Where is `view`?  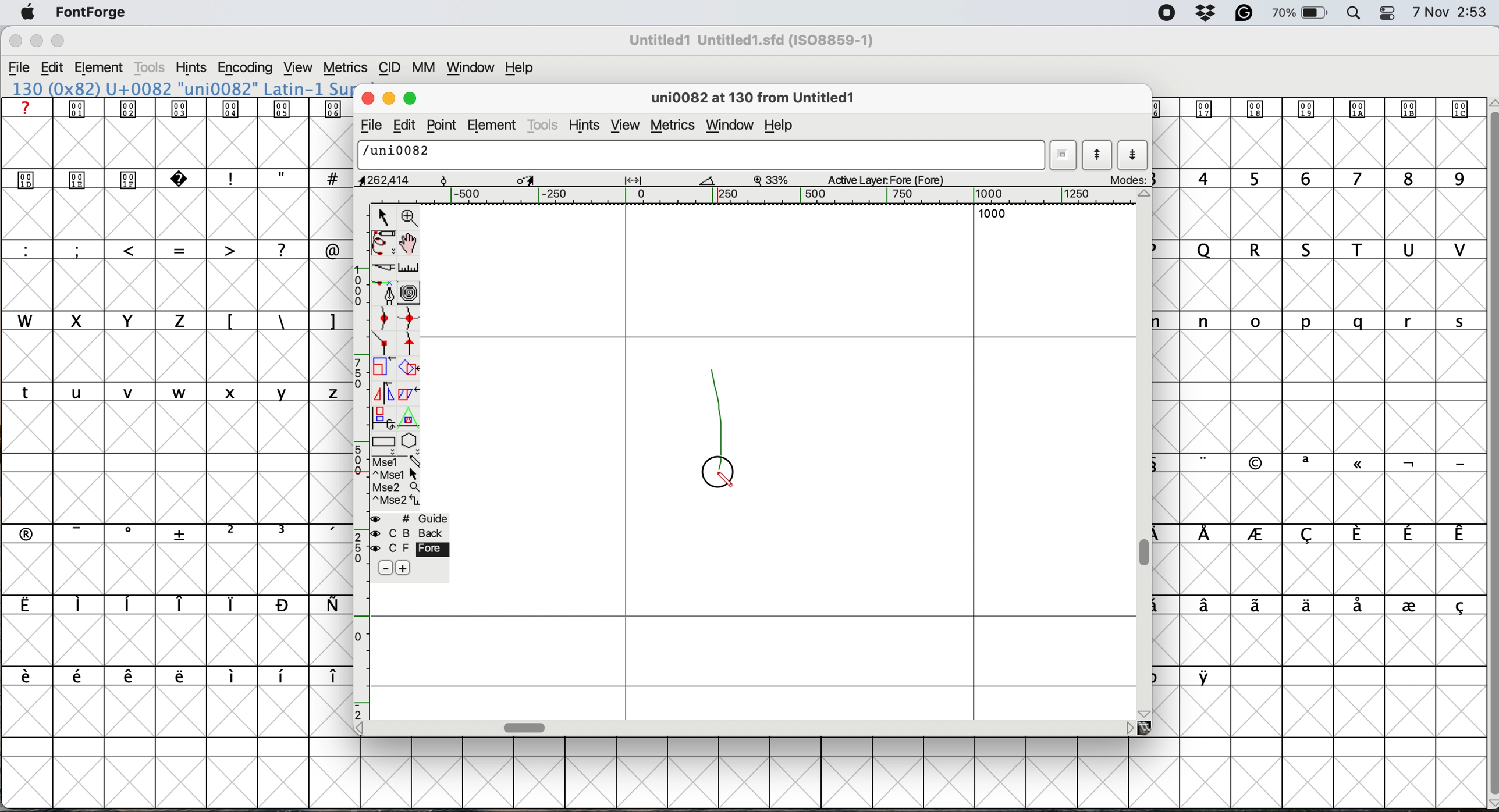
view is located at coordinates (300, 68).